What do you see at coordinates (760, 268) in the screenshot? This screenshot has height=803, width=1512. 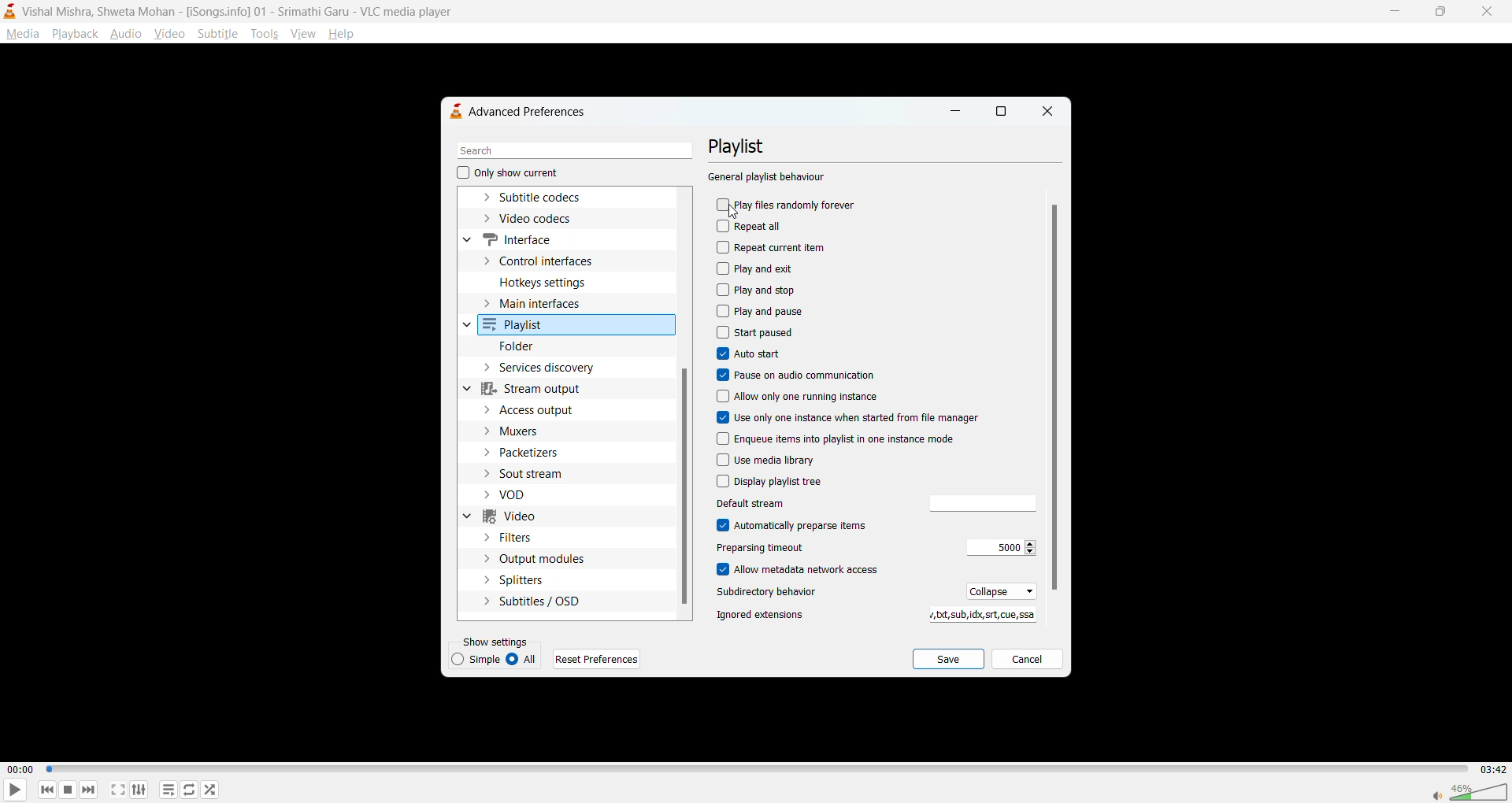 I see `play and exit` at bounding box center [760, 268].